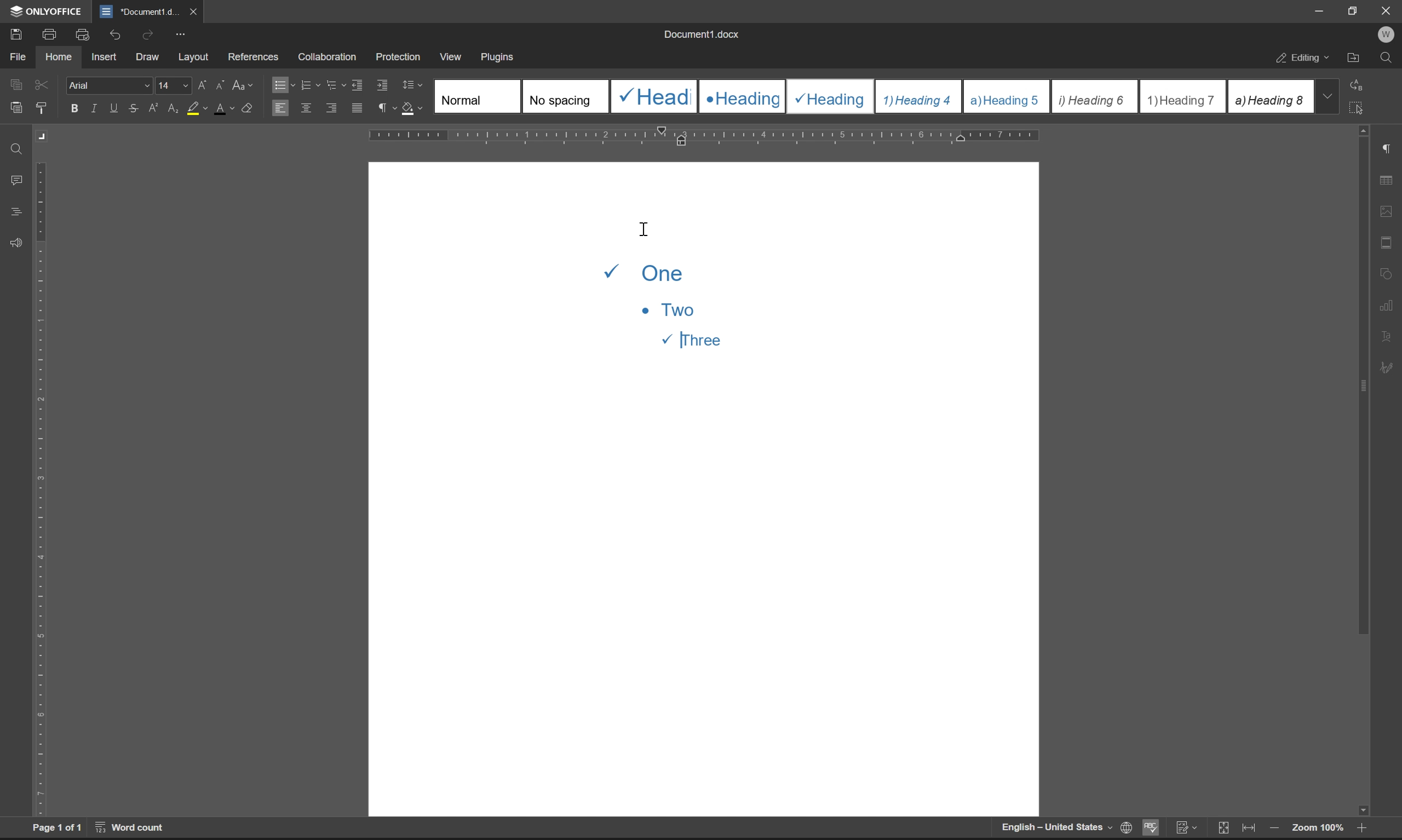 The image size is (1402, 840). I want to click on background color, so click(196, 109).